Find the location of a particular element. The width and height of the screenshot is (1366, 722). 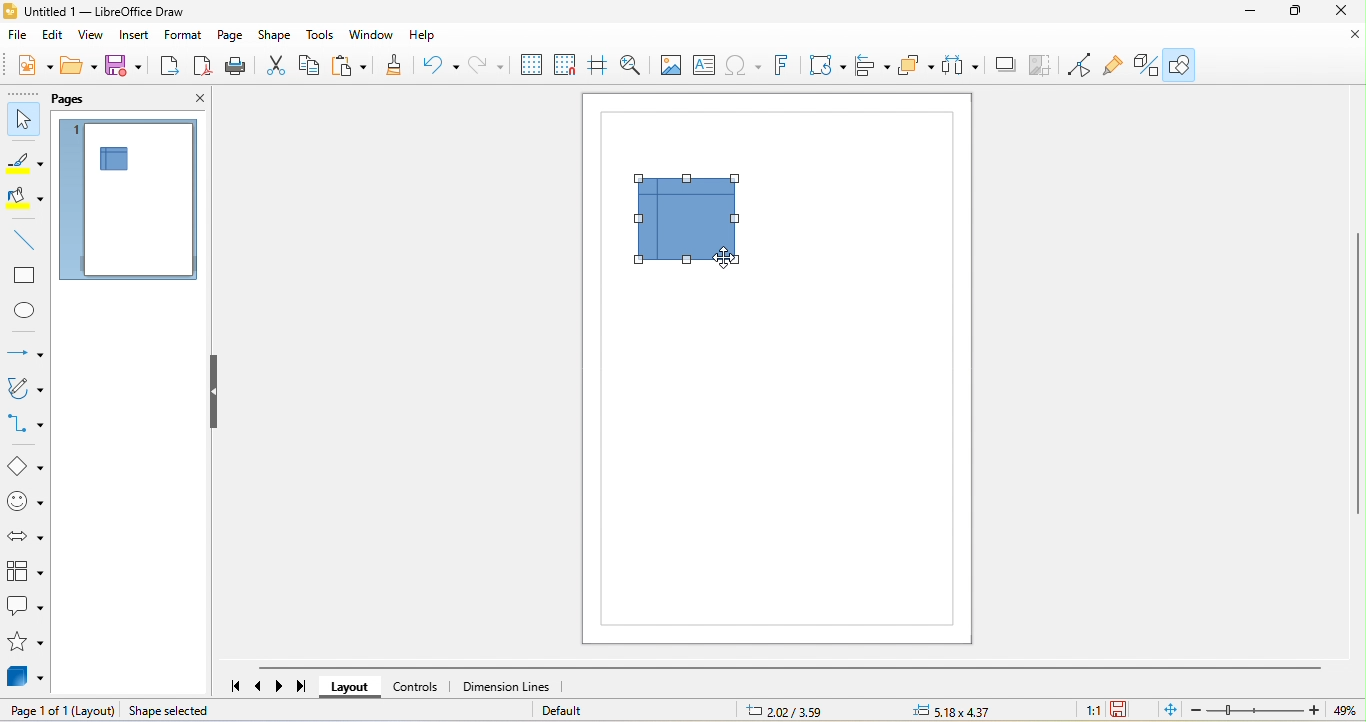

basic shape is located at coordinates (26, 467).